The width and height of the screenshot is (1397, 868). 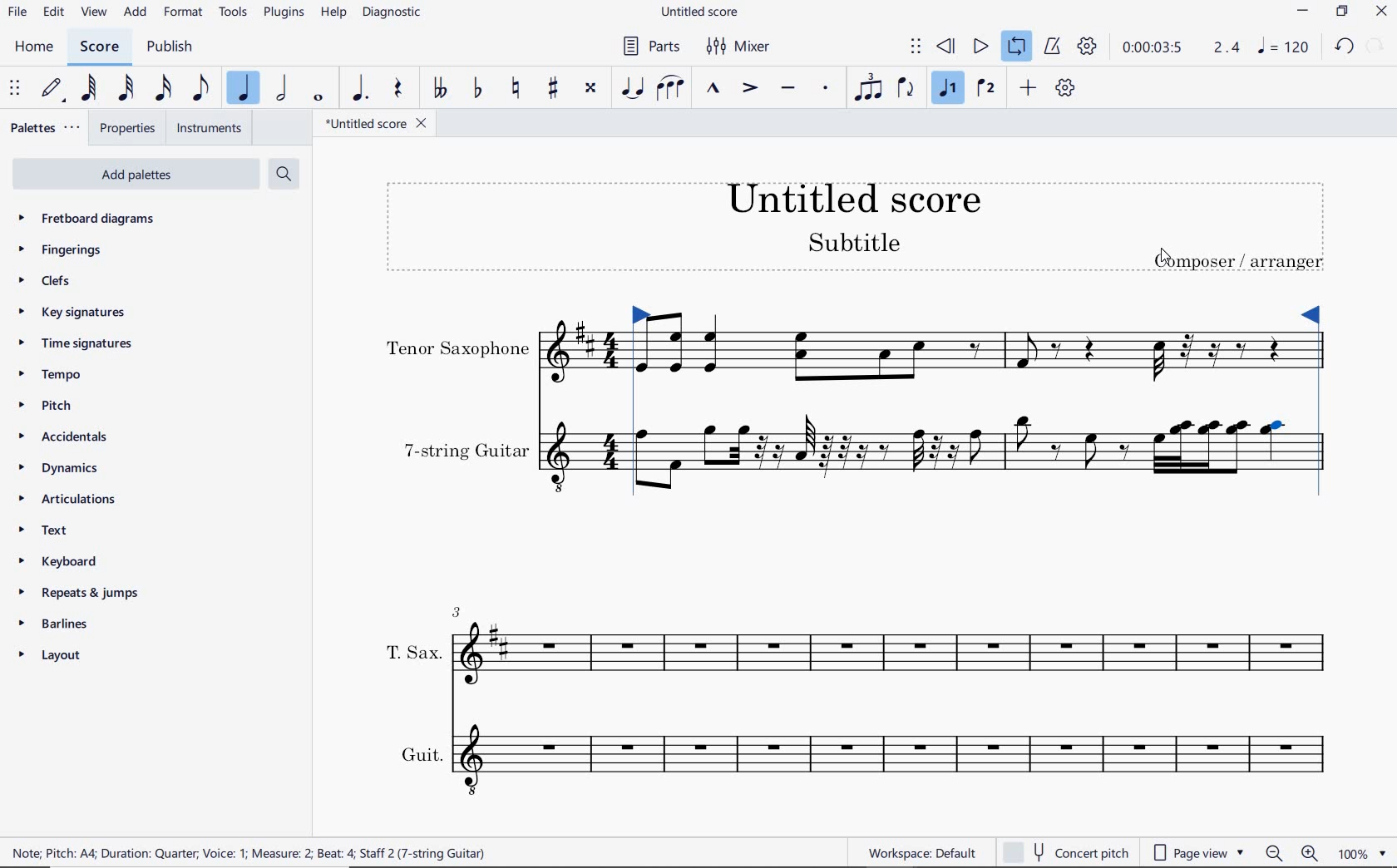 I want to click on PLAY SPEED, so click(x=1183, y=47).